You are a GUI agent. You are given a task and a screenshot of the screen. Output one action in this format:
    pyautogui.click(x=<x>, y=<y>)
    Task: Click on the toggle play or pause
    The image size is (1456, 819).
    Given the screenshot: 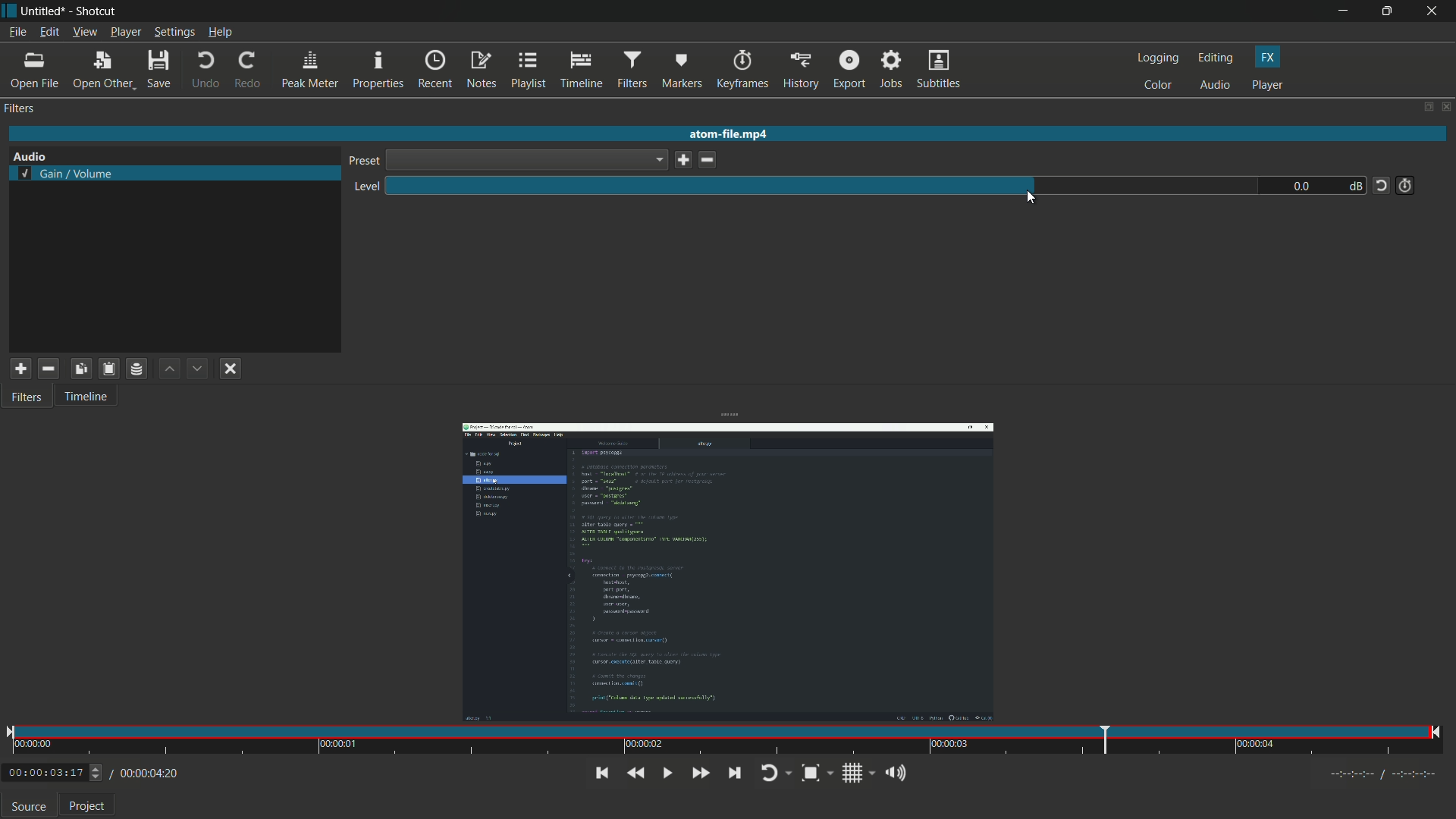 What is the action you would take?
    pyautogui.click(x=667, y=773)
    